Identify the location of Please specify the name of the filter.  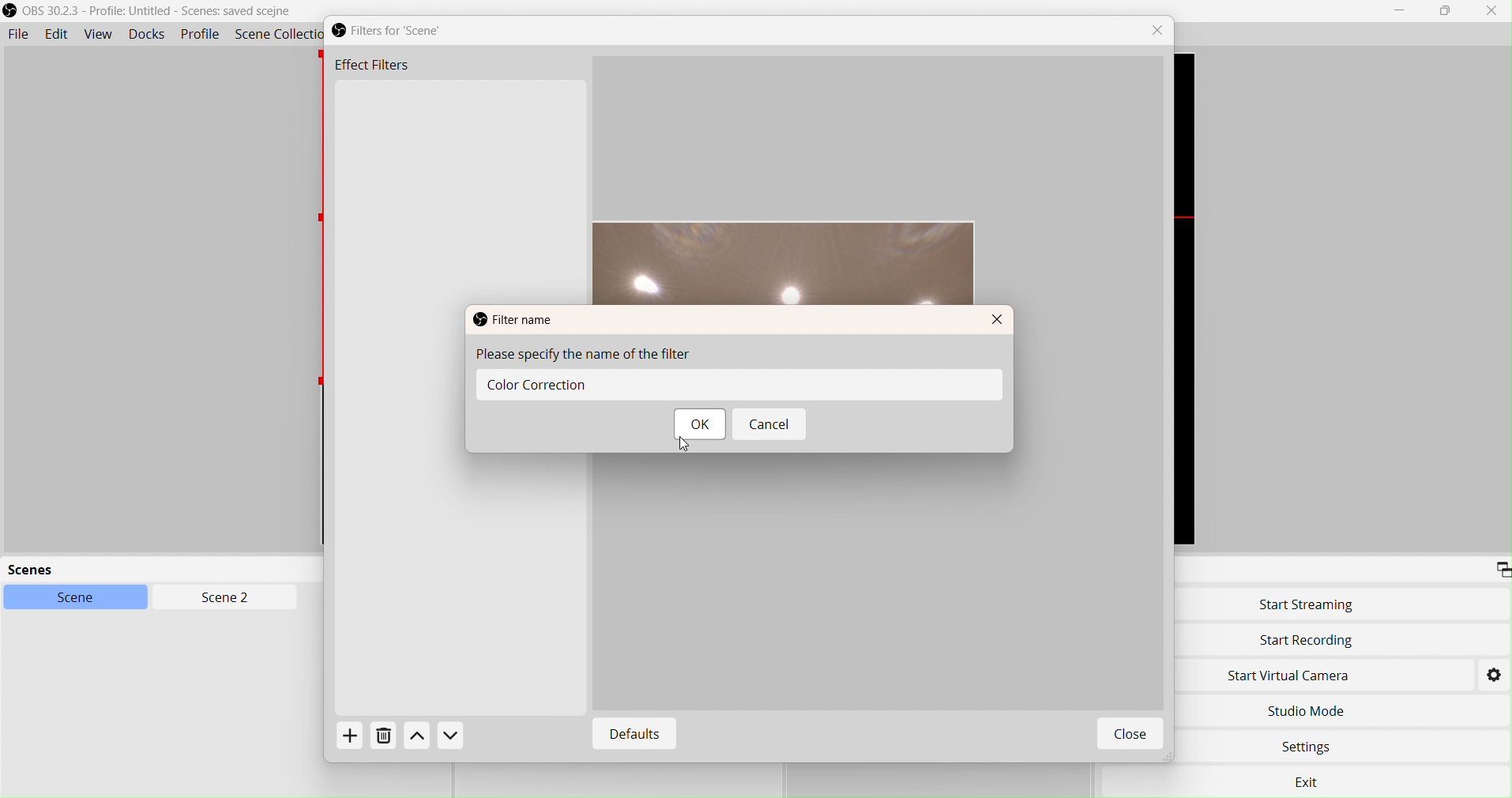
(596, 356).